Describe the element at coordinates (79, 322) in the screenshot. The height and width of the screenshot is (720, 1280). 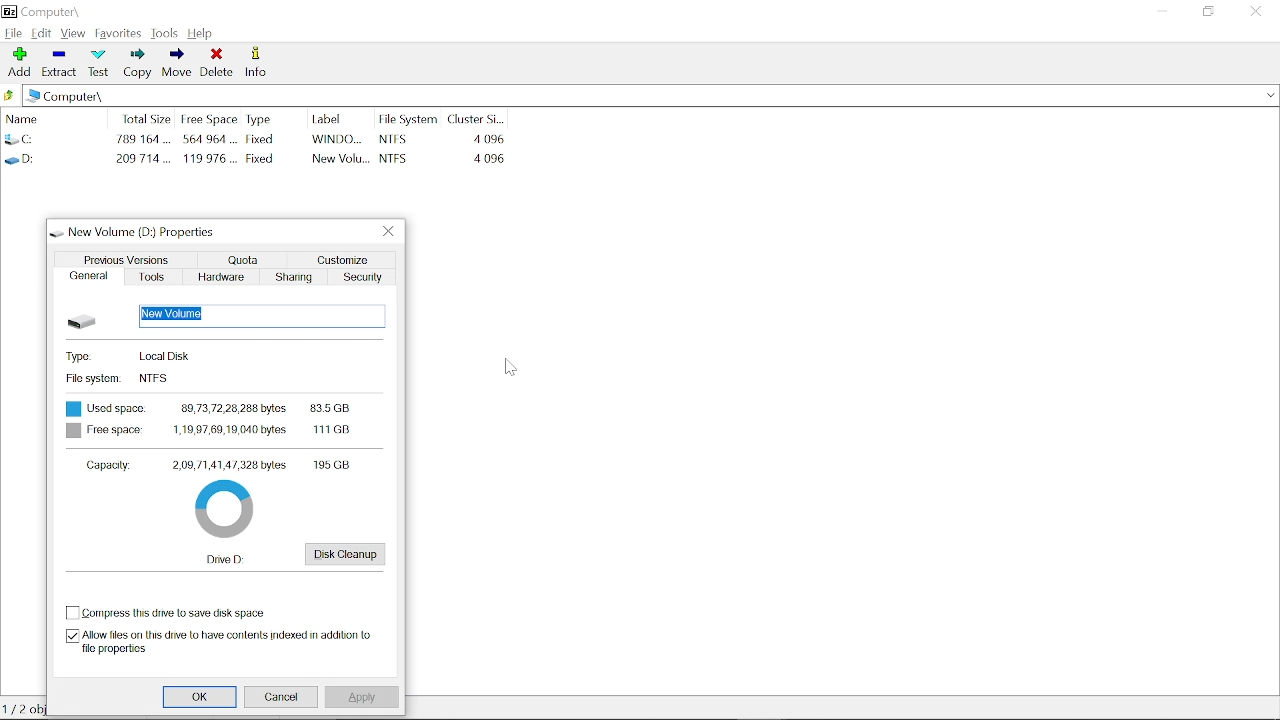
I see `Hard drive image` at that location.